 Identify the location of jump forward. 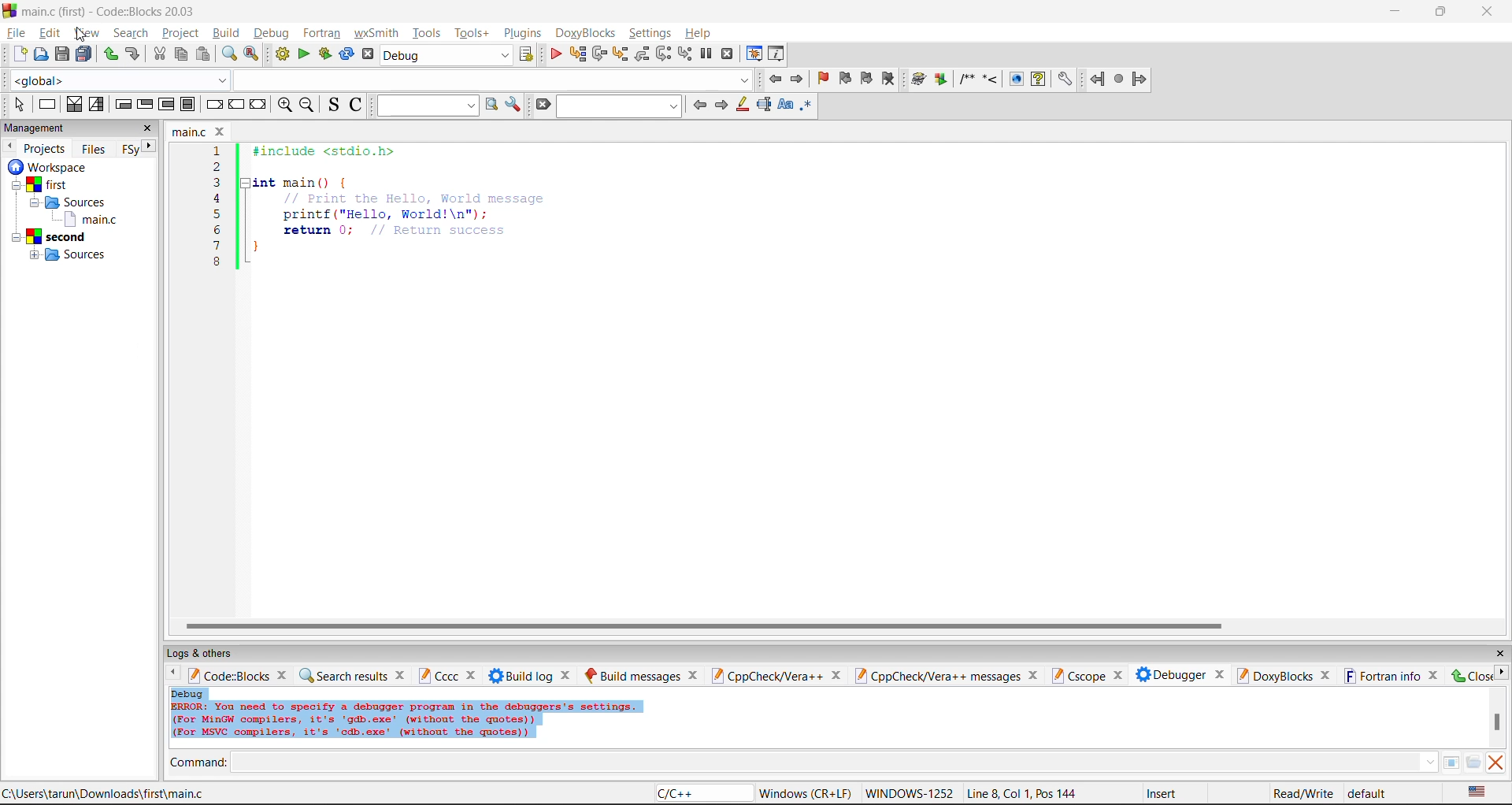
(800, 80).